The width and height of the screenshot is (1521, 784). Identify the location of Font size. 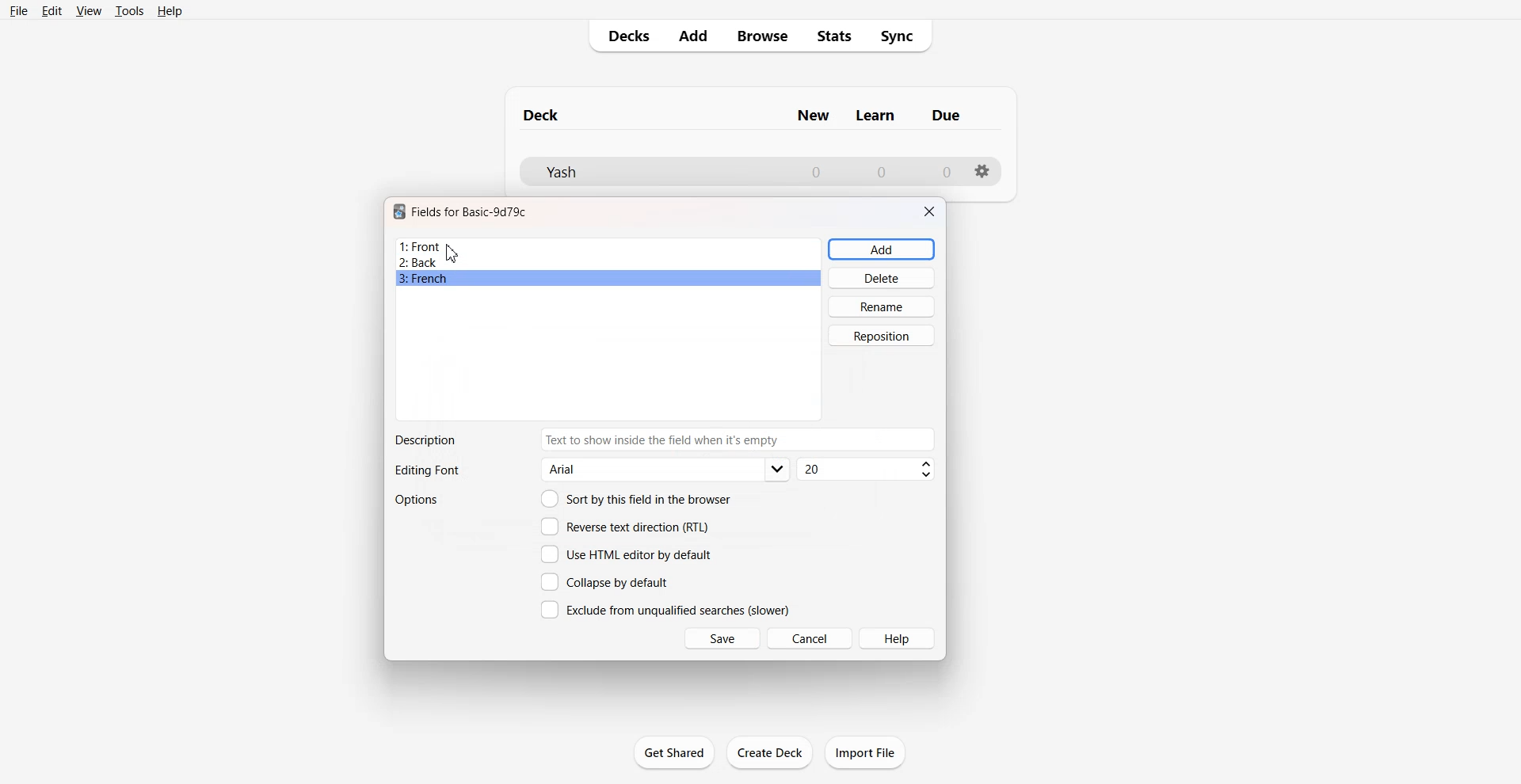
(867, 470).